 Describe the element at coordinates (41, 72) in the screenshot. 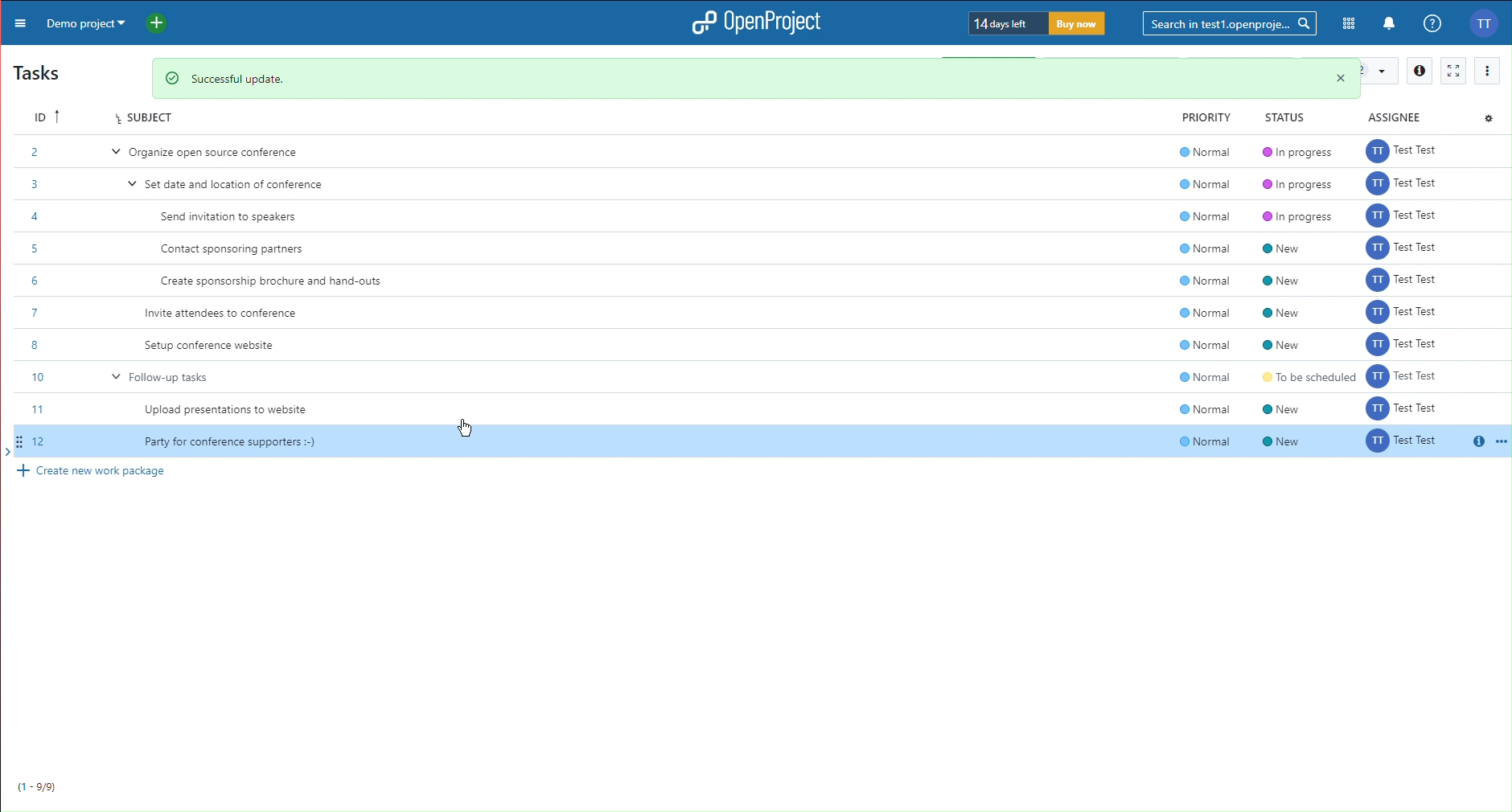

I see `Tasks` at that location.